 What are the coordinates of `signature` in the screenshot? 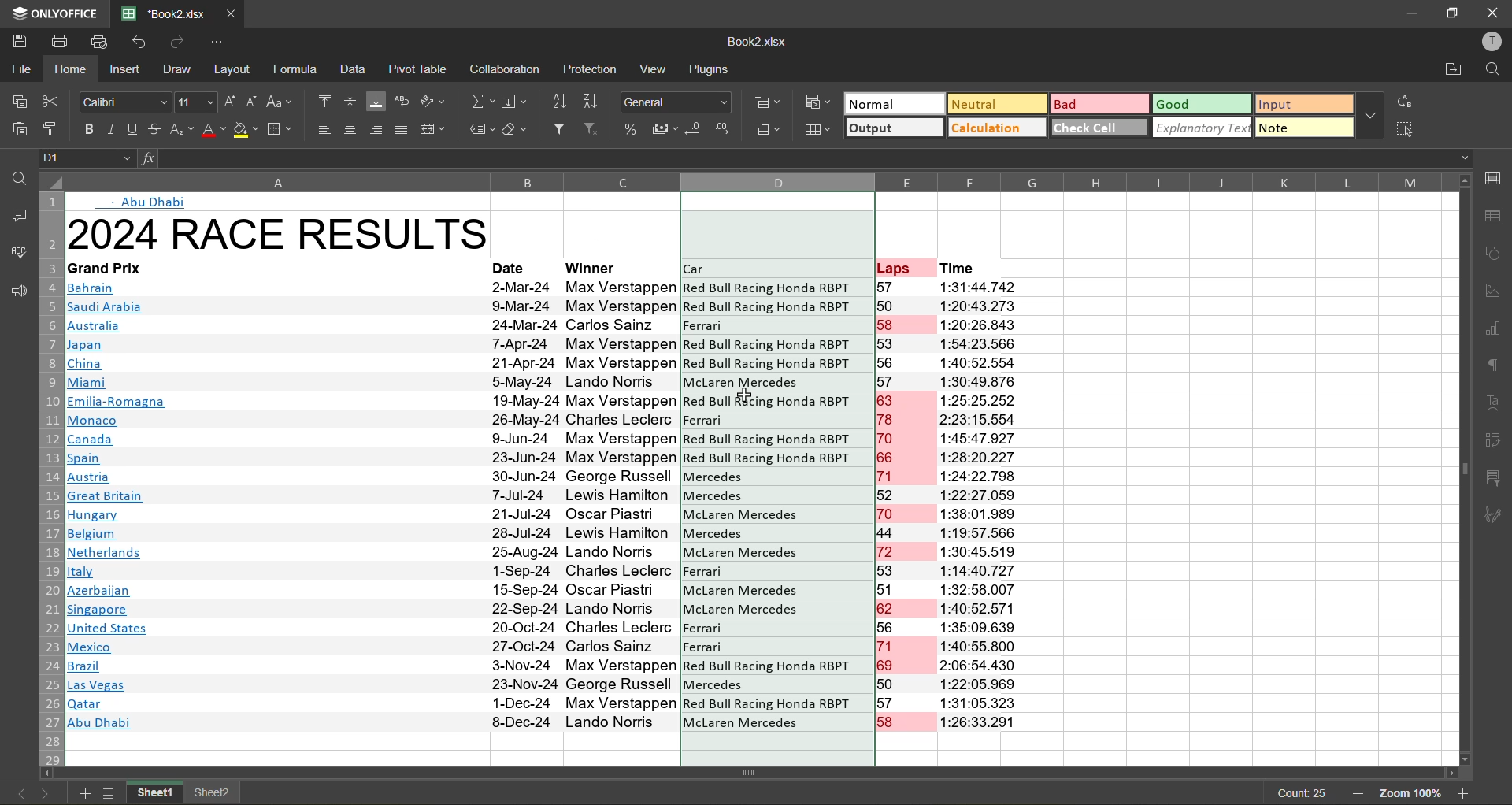 It's located at (1497, 516).